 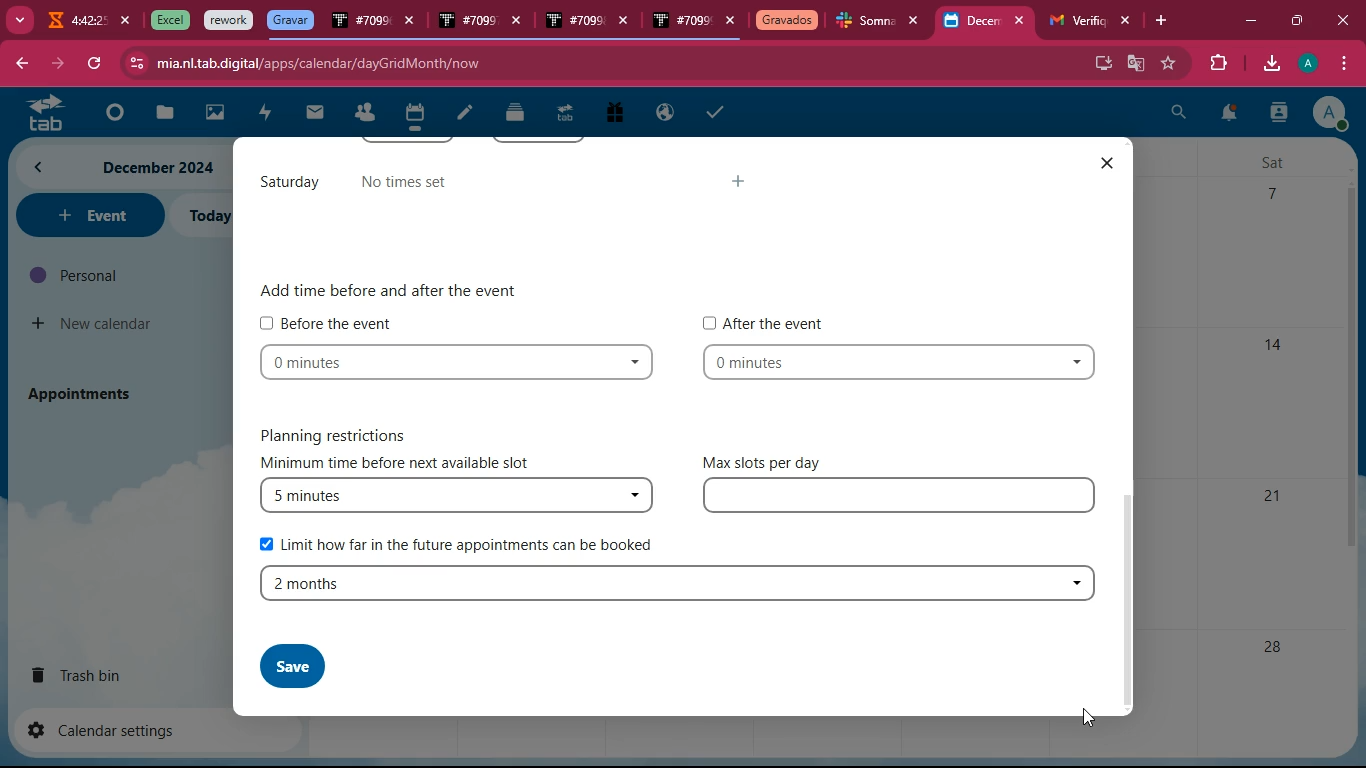 I want to click on profile, so click(x=1329, y=112).